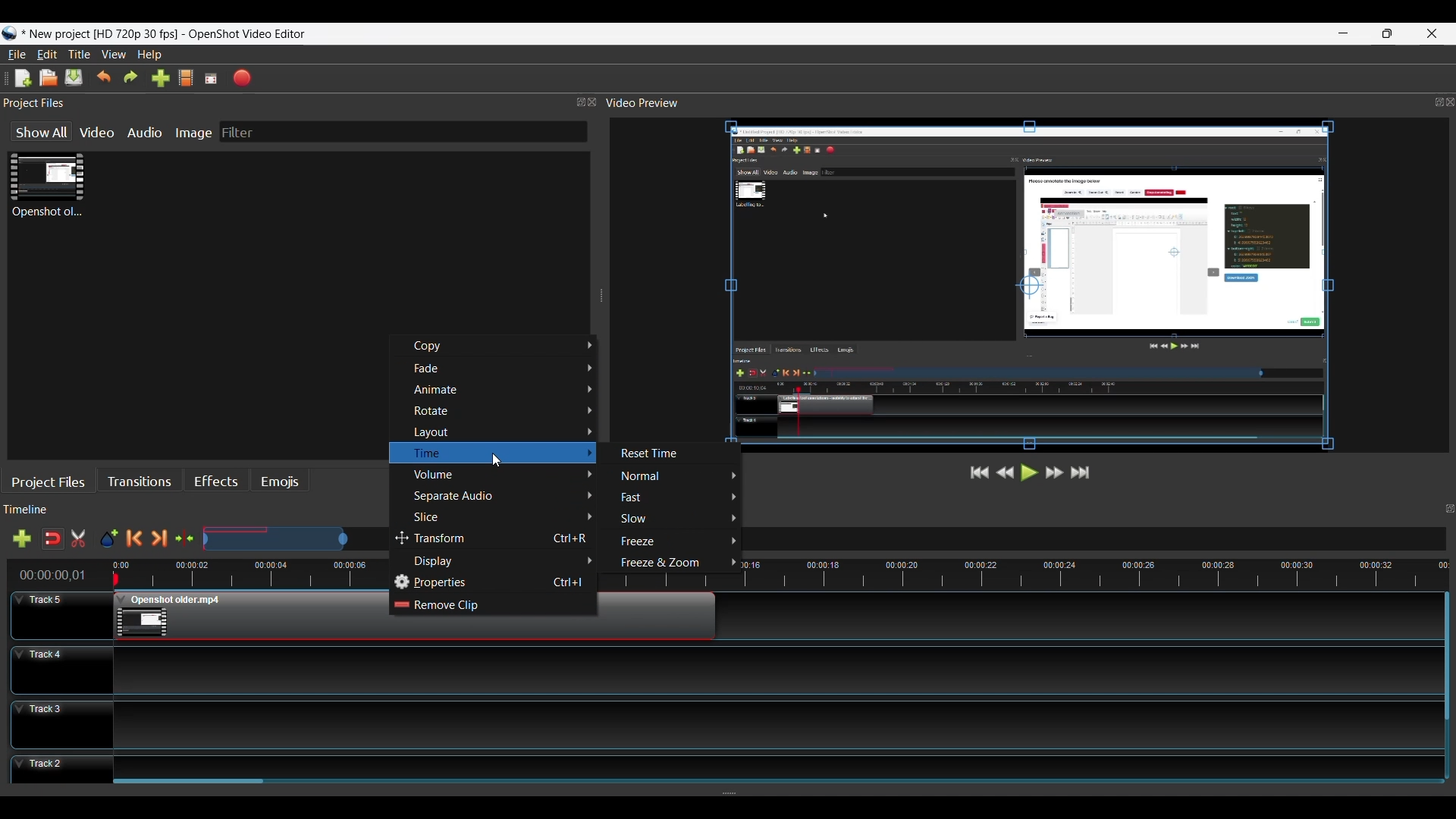 This screenshot has width=1456, height=819. Describe the element at coordinates (253, 34) in the screenshot. I see `OpenShot video editor` at that location.